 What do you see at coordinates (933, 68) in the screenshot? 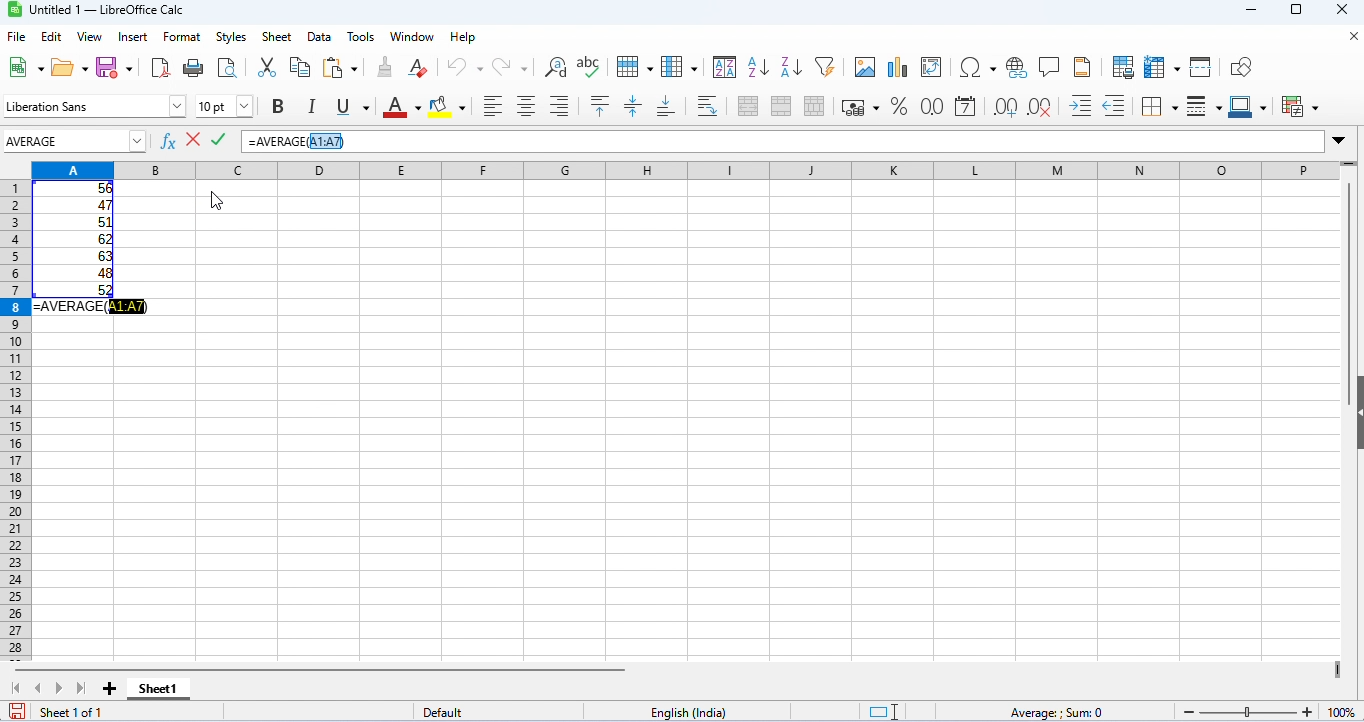
I see `insert or edit pivot table` at bounding box center [933, 68].